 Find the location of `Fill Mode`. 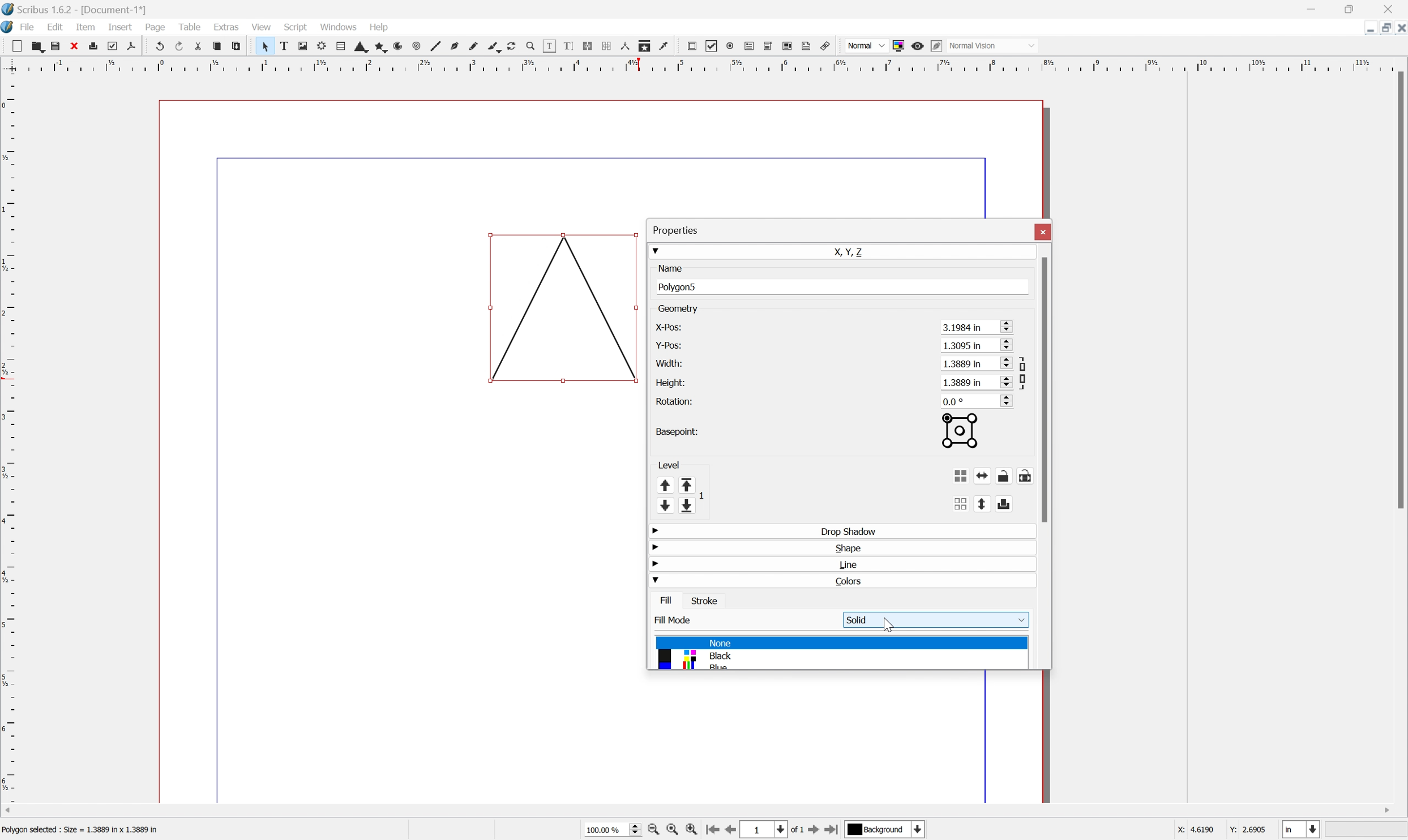

Fill Mode is located at coordinates (676, 620).